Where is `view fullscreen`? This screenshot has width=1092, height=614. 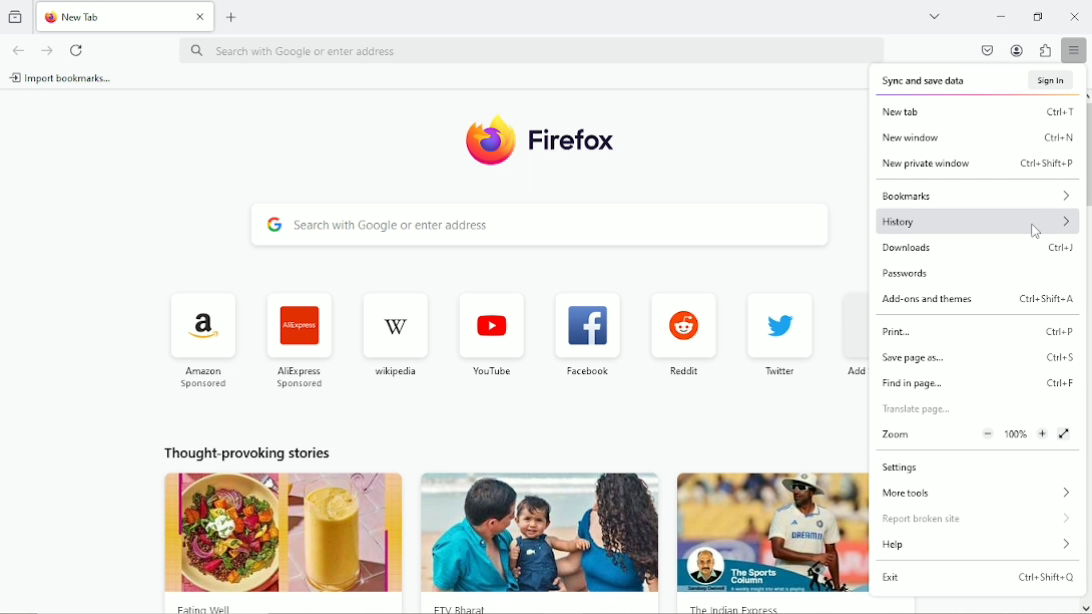 view fullscreen is located at coordinates (1065, 434).